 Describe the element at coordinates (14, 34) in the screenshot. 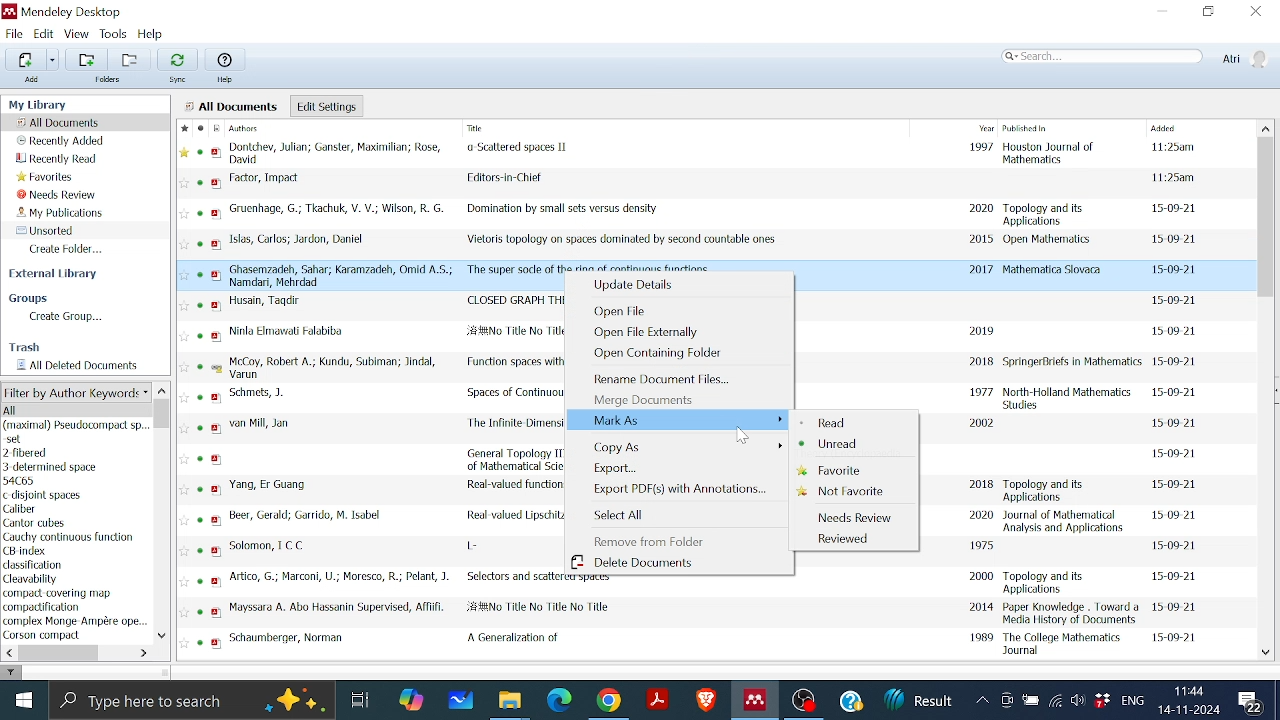

I see `File` at that location.